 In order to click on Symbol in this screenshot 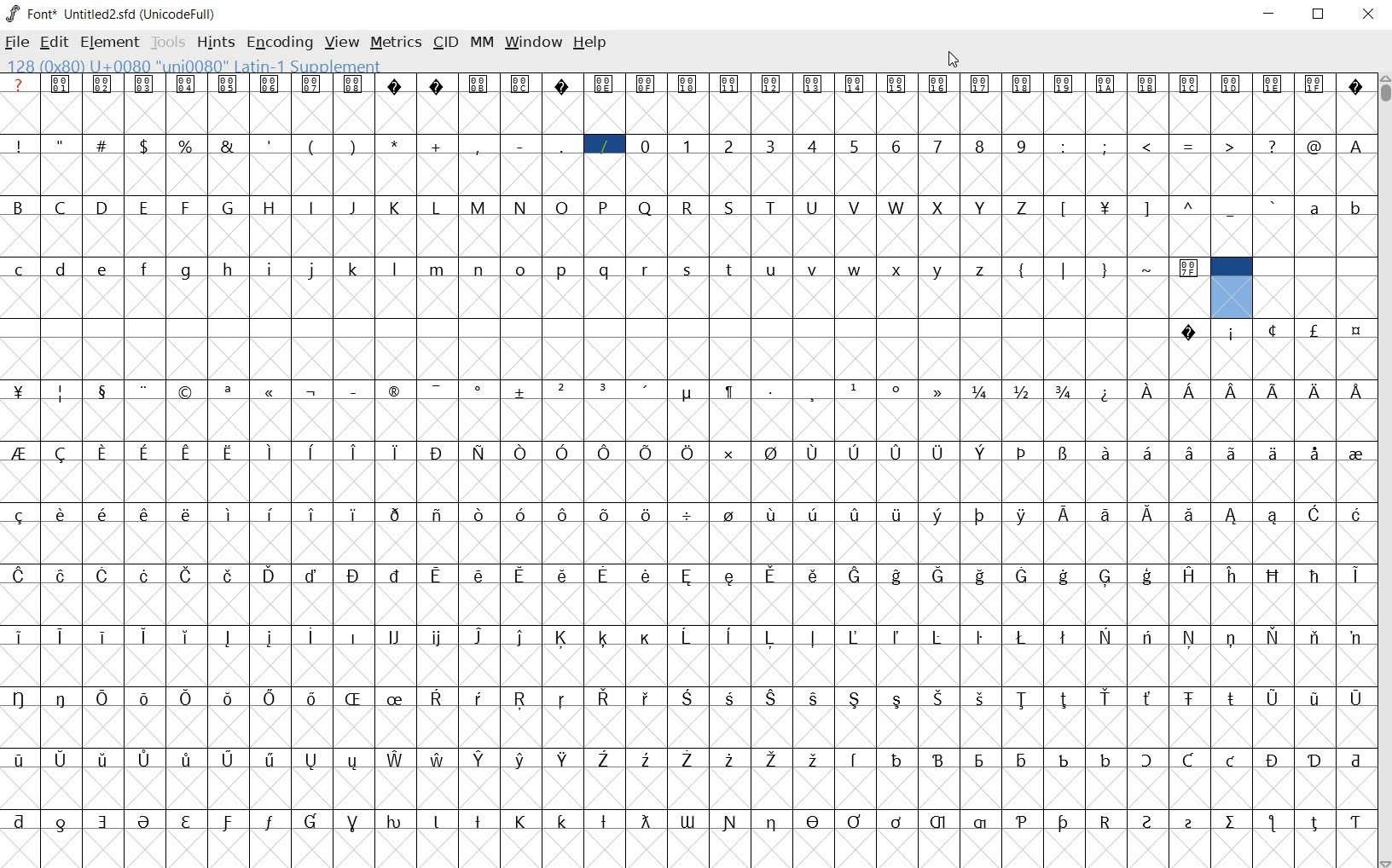, I will do `click(1064, 757)`.